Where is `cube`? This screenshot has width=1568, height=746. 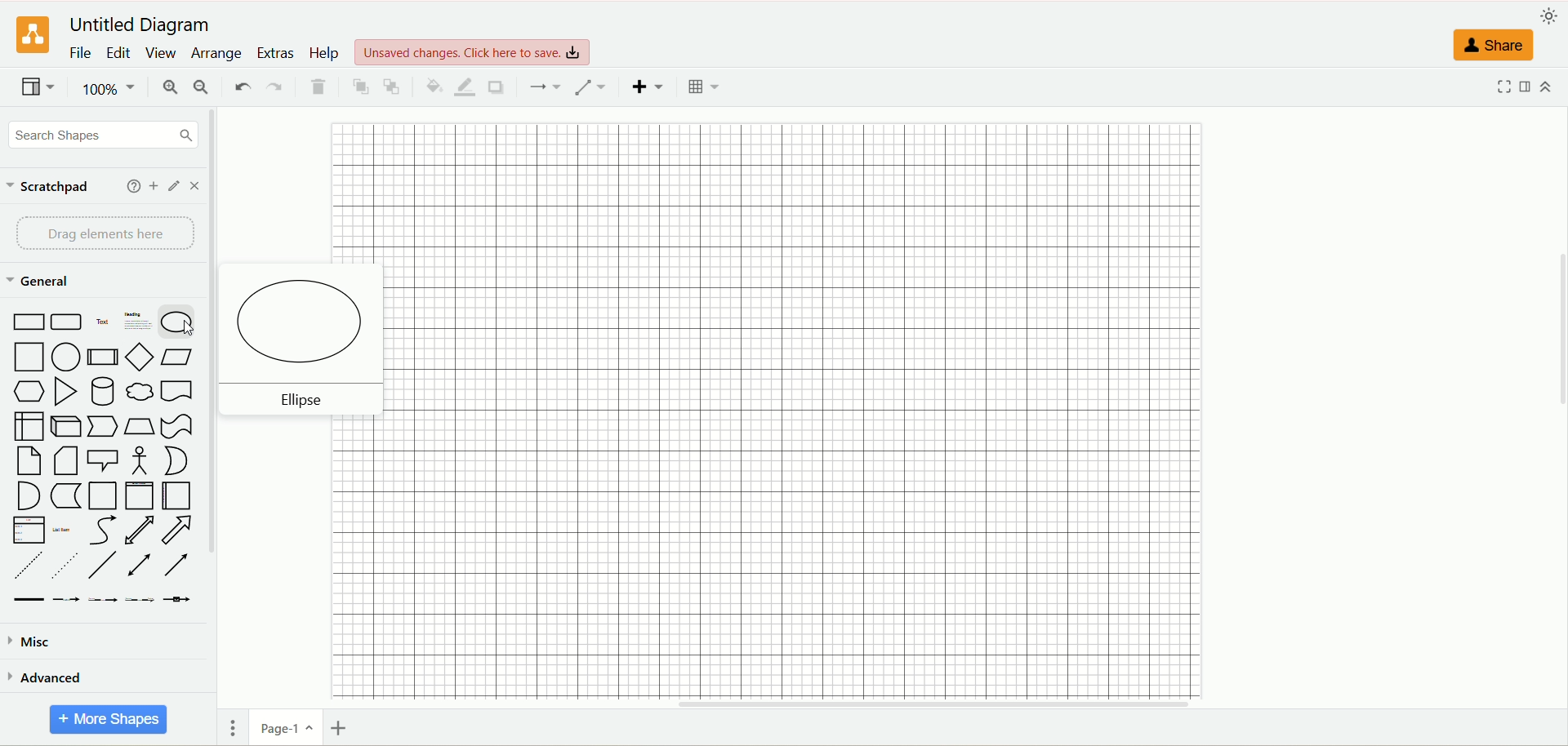 cube is located at coordinates (66, 424).